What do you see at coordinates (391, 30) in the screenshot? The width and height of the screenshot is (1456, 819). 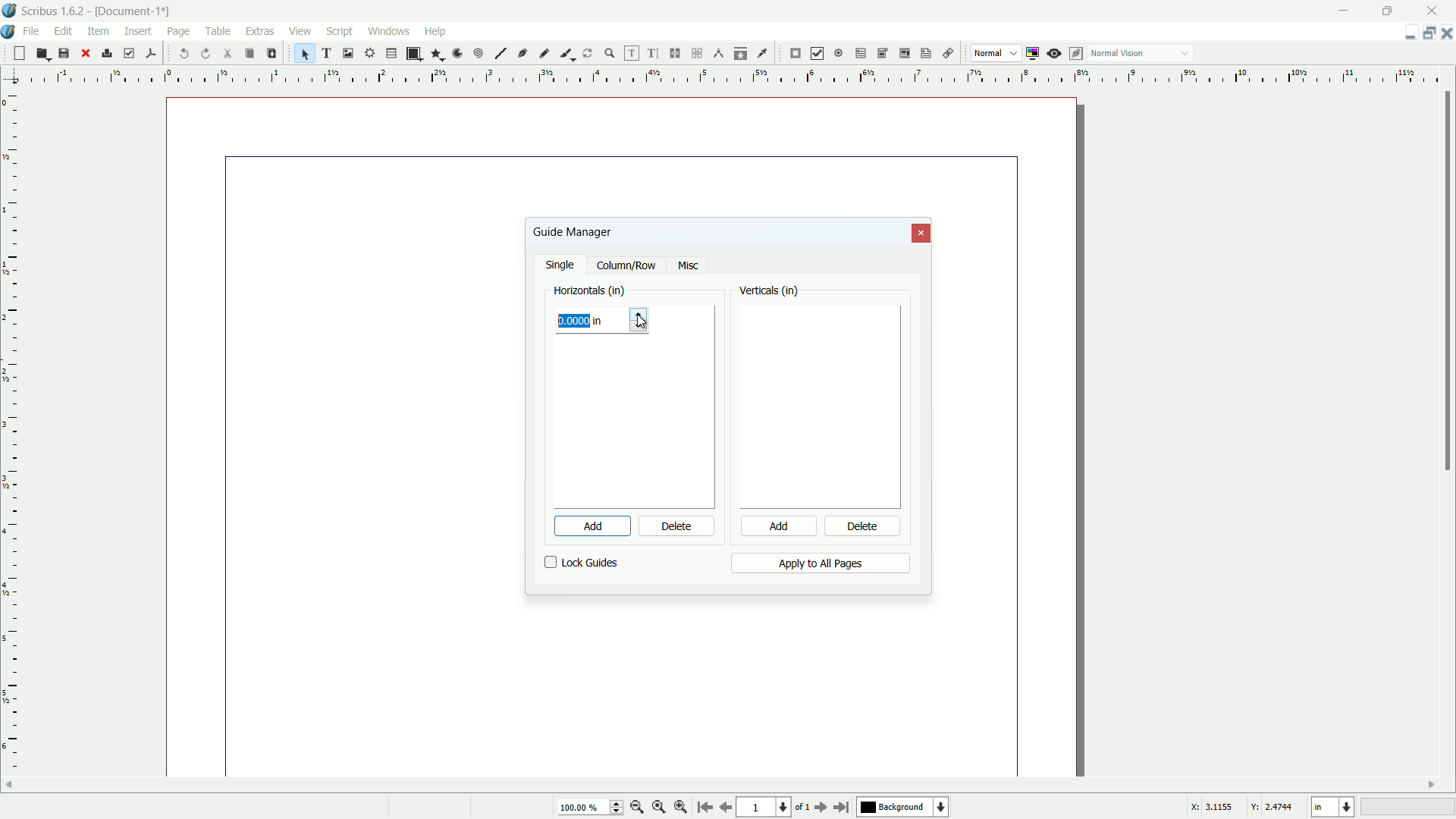 I see `windows menu` at bounding box center [391, 30].